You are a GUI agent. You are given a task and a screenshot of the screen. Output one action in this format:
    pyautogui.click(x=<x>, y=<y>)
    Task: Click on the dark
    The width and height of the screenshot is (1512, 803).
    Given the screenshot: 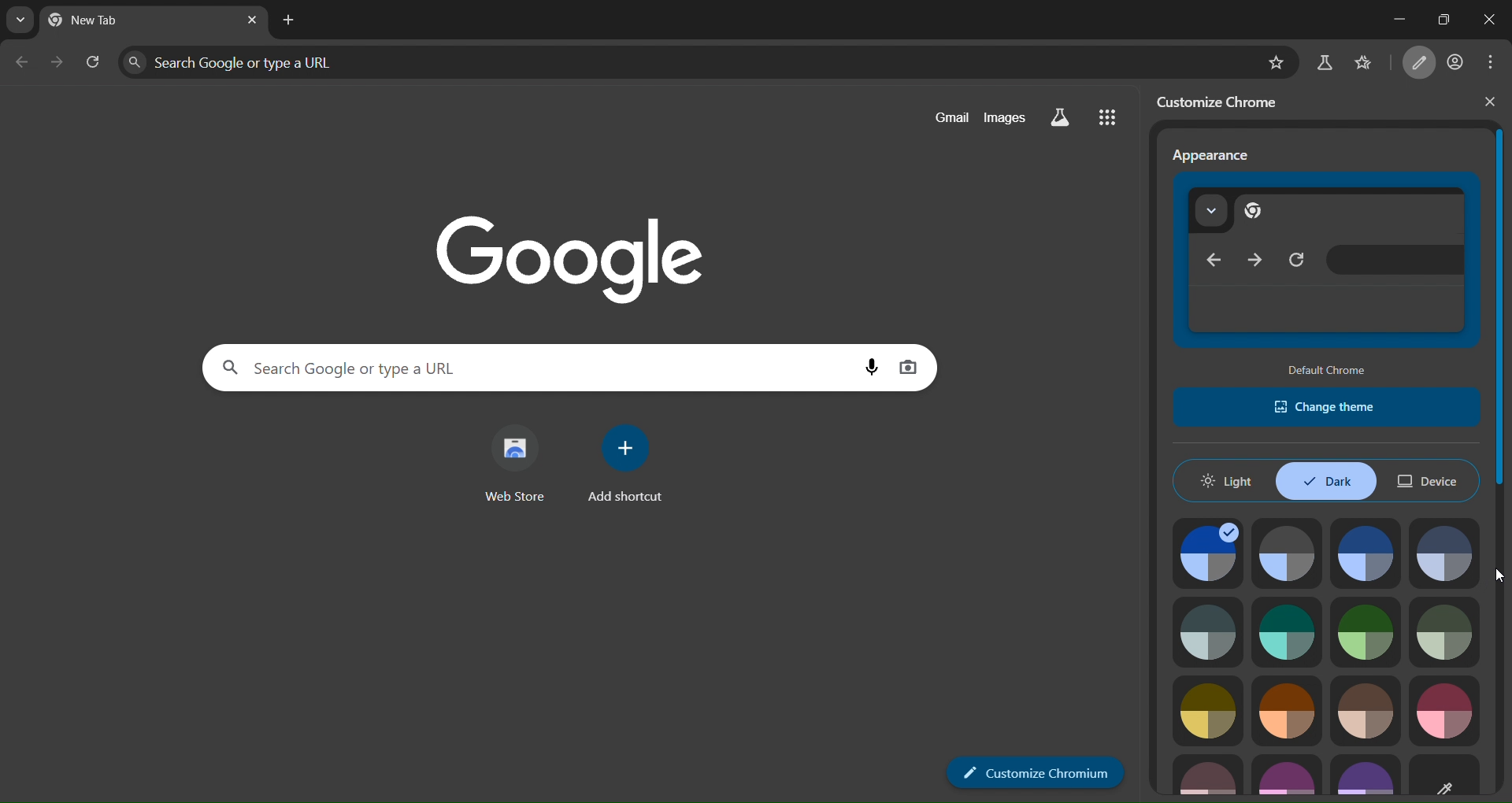 What is the action you would take?
    pyautogui.click(x=1326, y=481)
    